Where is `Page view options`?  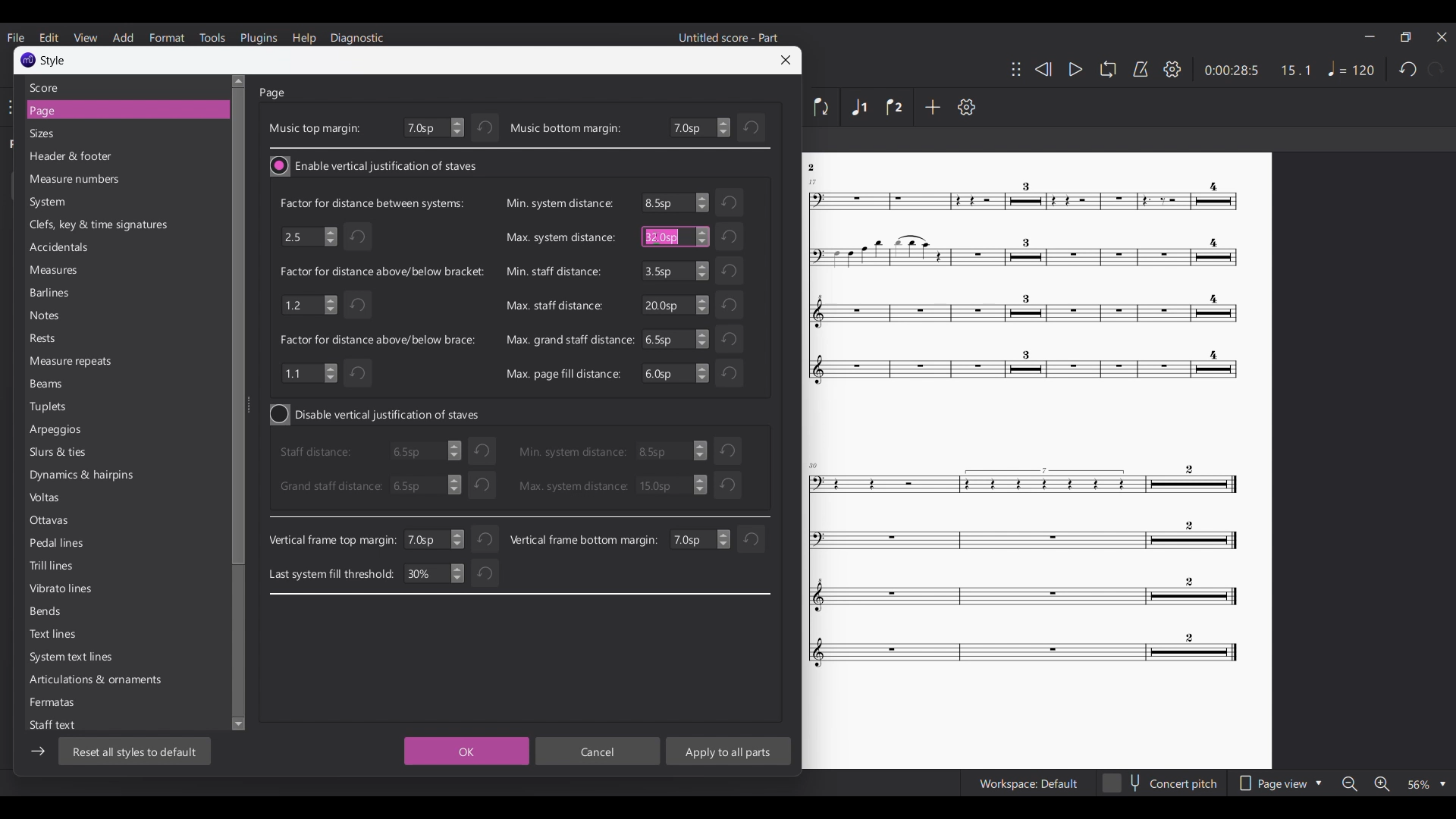 Page view options is located at coordinates (1279, 783).